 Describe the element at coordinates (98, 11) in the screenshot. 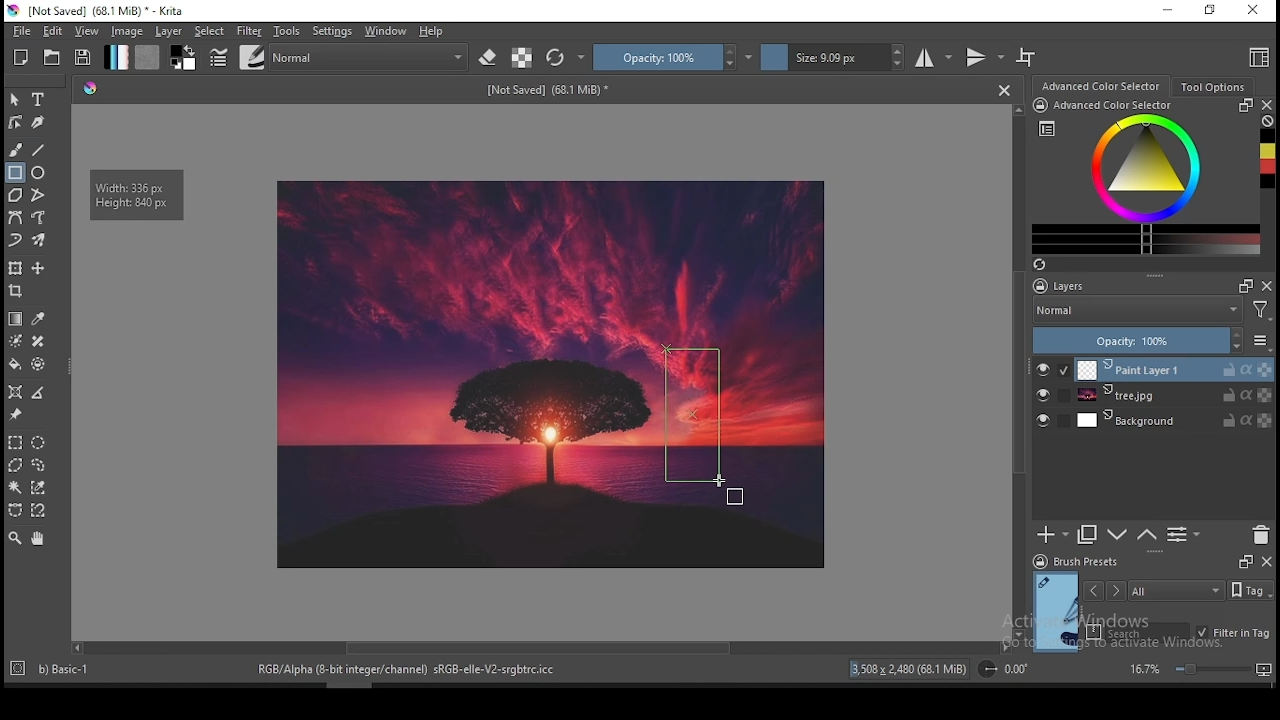

I see `icon and file name` at that location.